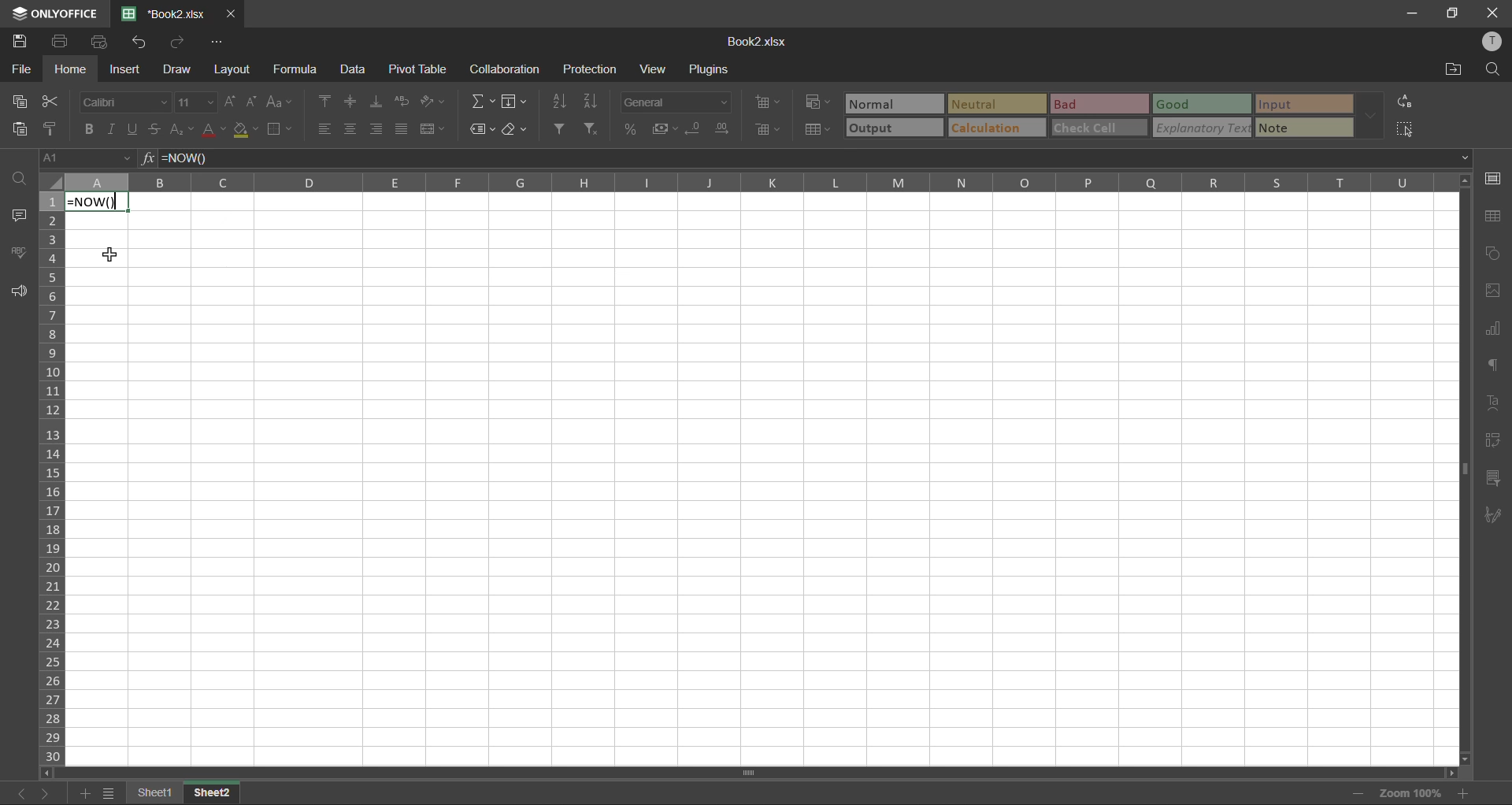 The width and height of the screenshot is (1512, 805). Describe the element at coordinates (744, 181) in the screenshot. I see `column names in alphabets` at that location.